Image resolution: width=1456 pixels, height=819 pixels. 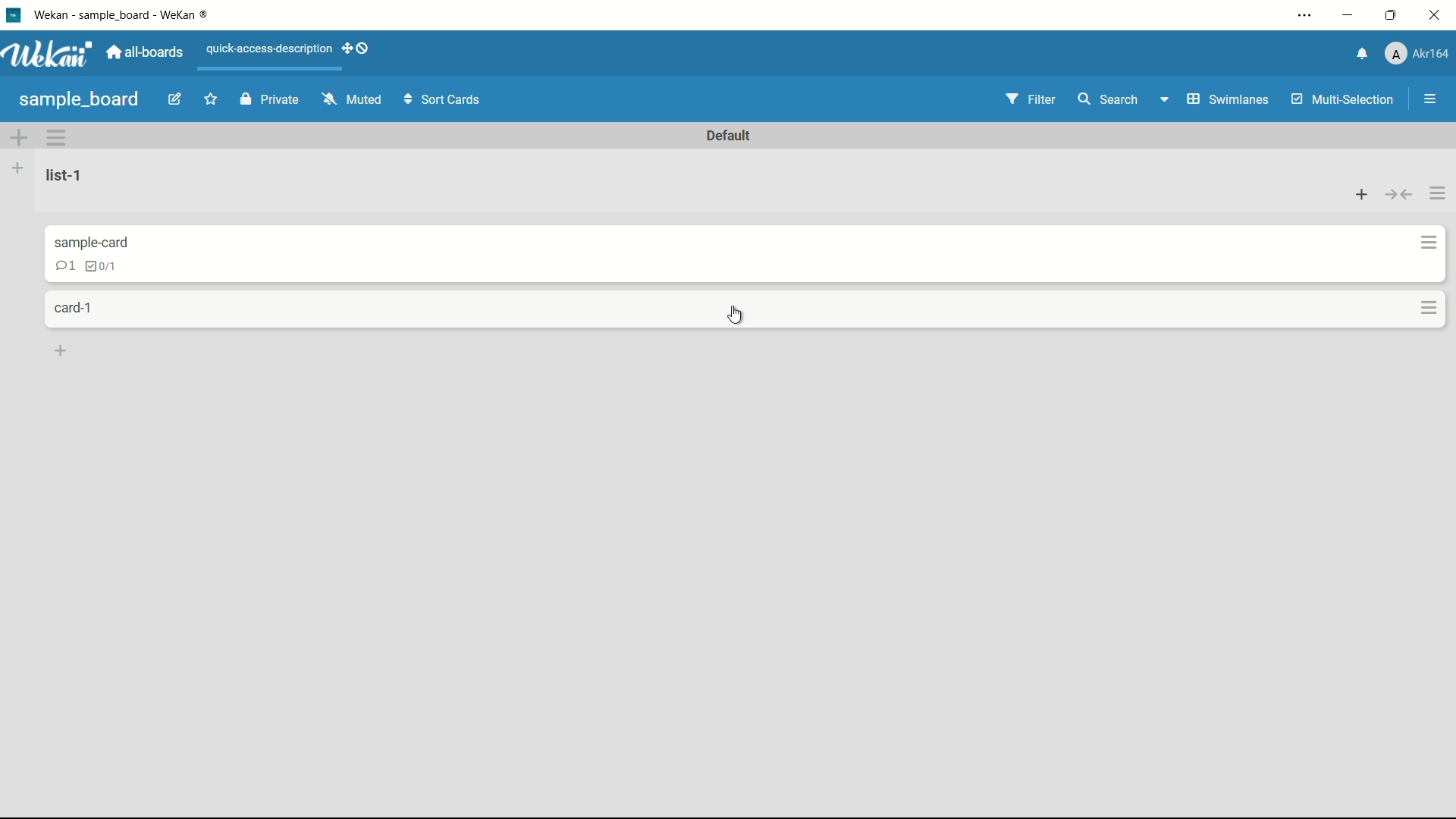 I want to click on wekan logo, so click(x=14, y=16).